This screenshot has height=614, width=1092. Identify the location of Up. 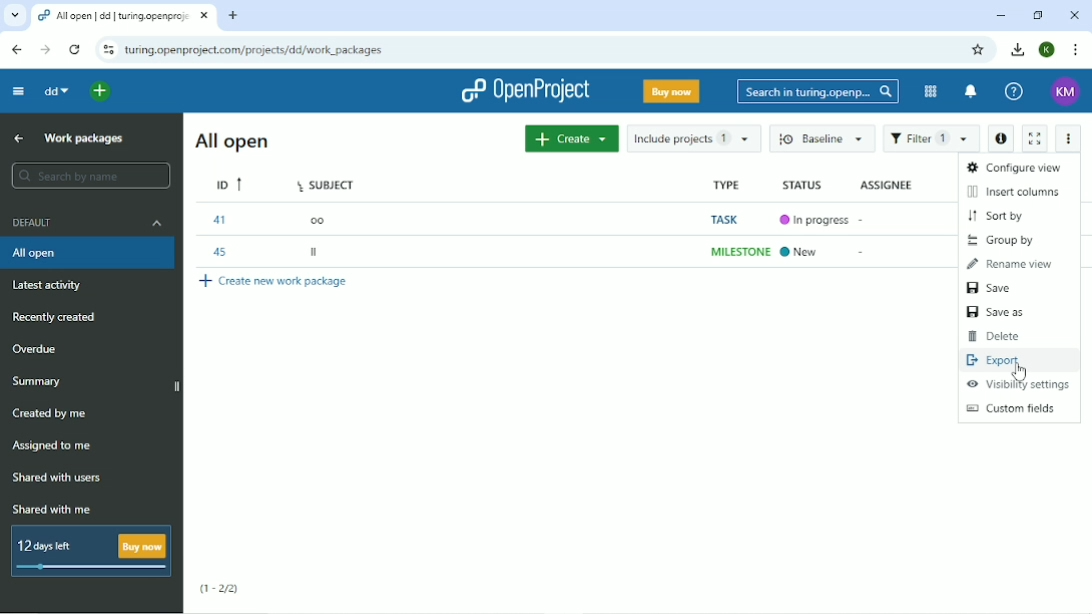
(17, 139).